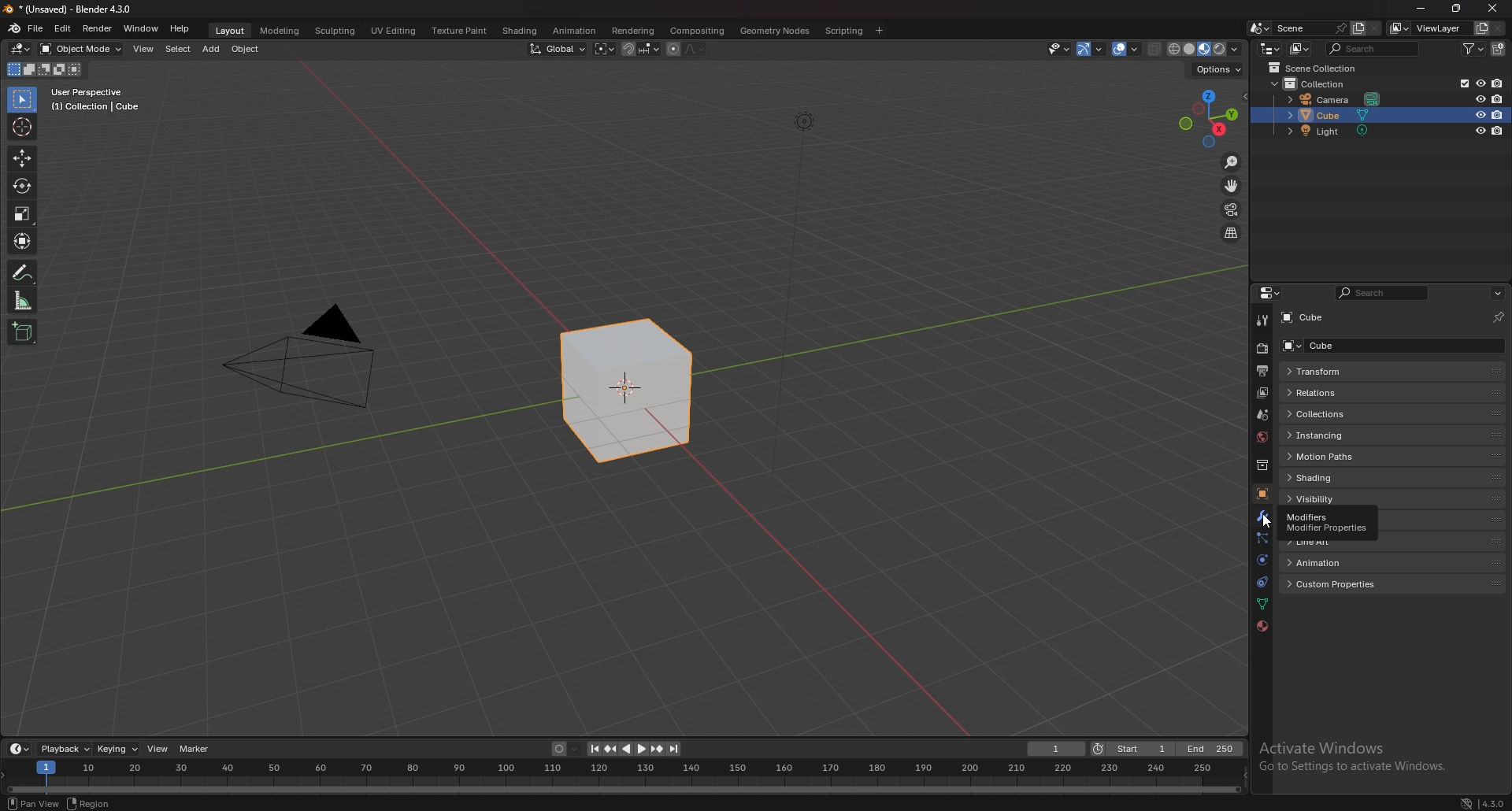  I want to click on hide in viewport, so click(1479, 130).